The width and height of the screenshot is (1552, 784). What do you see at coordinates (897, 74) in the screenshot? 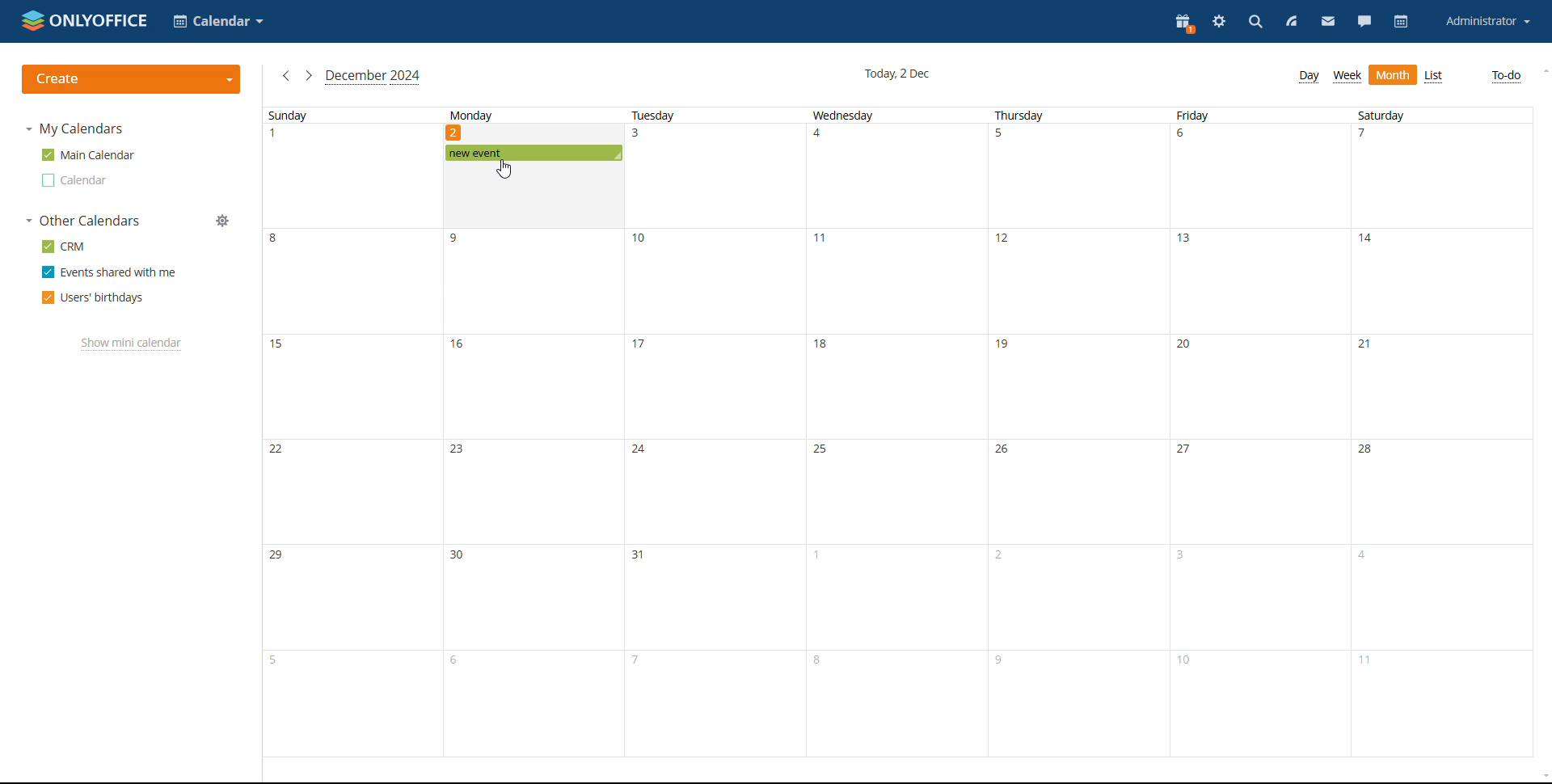
I see `current date` at bounding box center [897, 74].